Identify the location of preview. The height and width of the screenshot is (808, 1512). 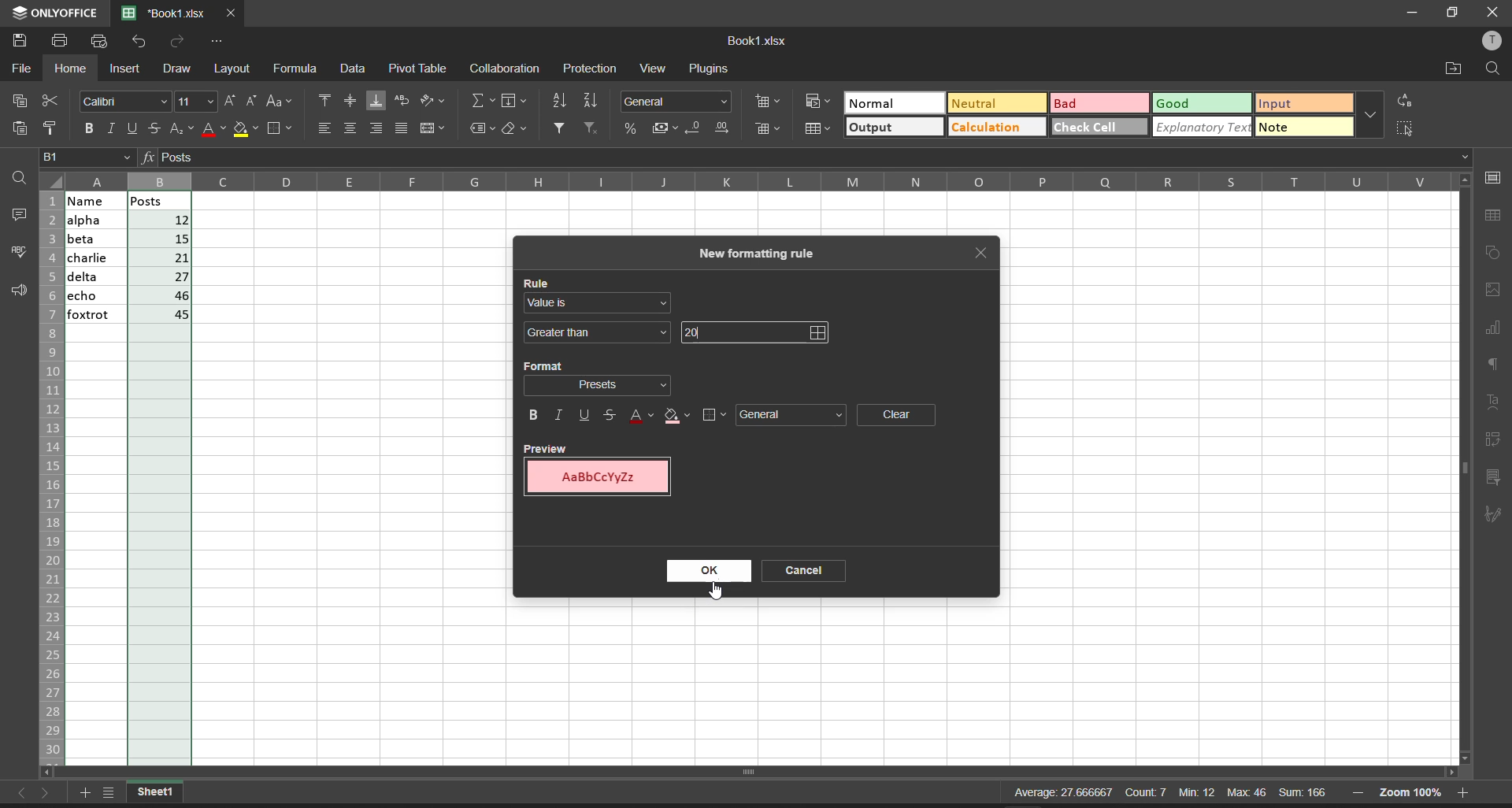
(602, 472).